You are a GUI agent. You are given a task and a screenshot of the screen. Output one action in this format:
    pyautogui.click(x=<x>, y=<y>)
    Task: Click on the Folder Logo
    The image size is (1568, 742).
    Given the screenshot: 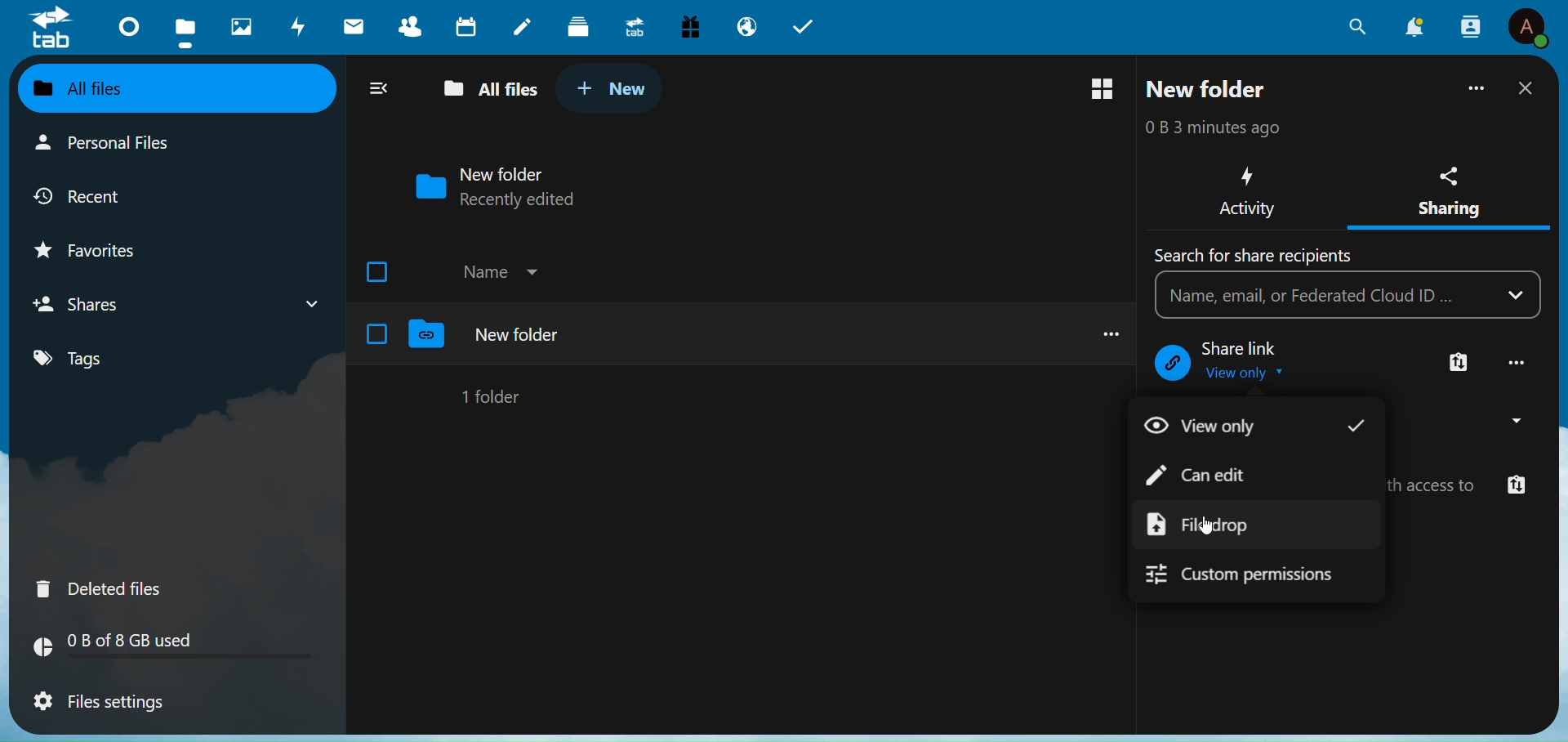 What is the action you would take?
    pyautogui.click(x=428, y=335)
    